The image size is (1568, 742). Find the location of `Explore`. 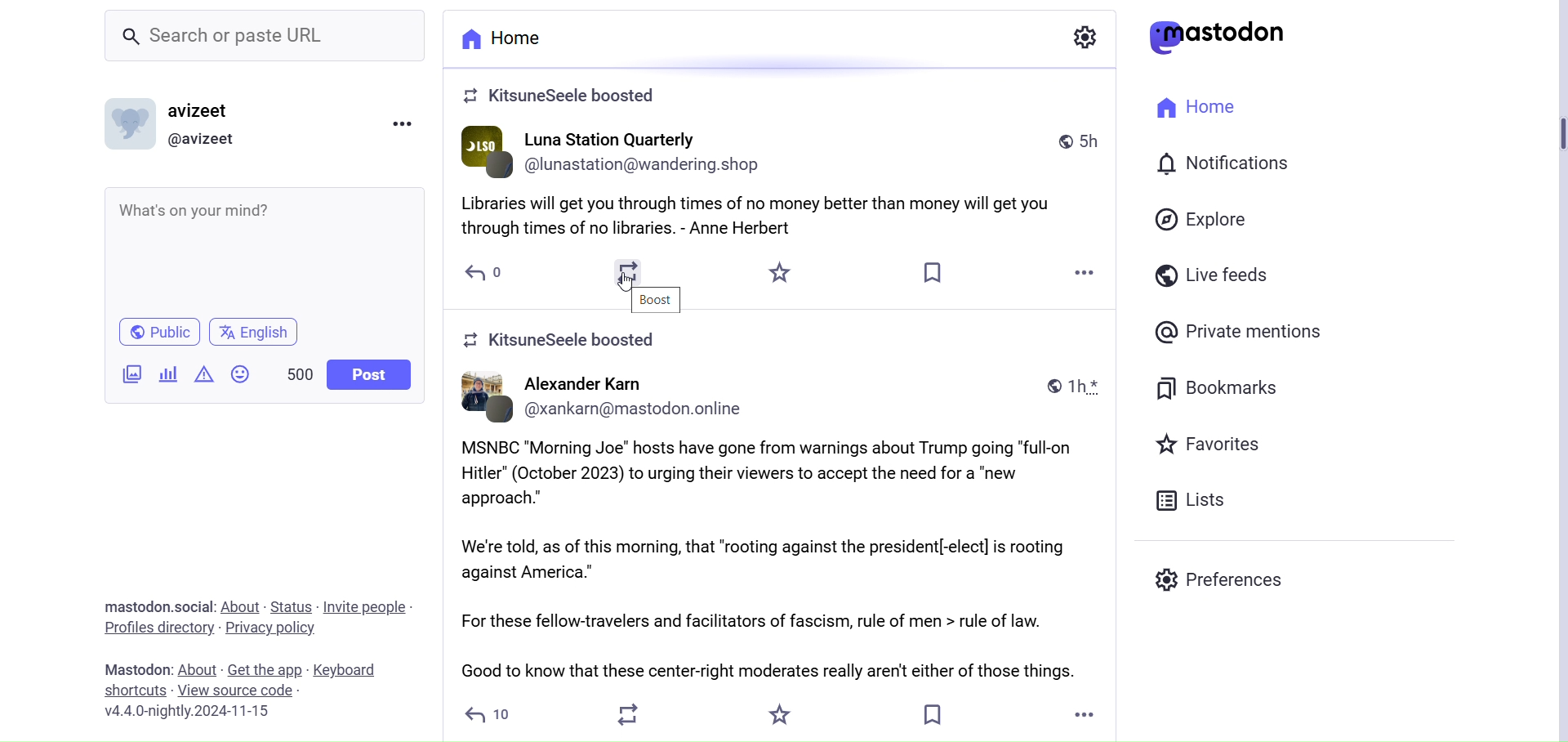

Explore is located at coordinates (1209, 219).